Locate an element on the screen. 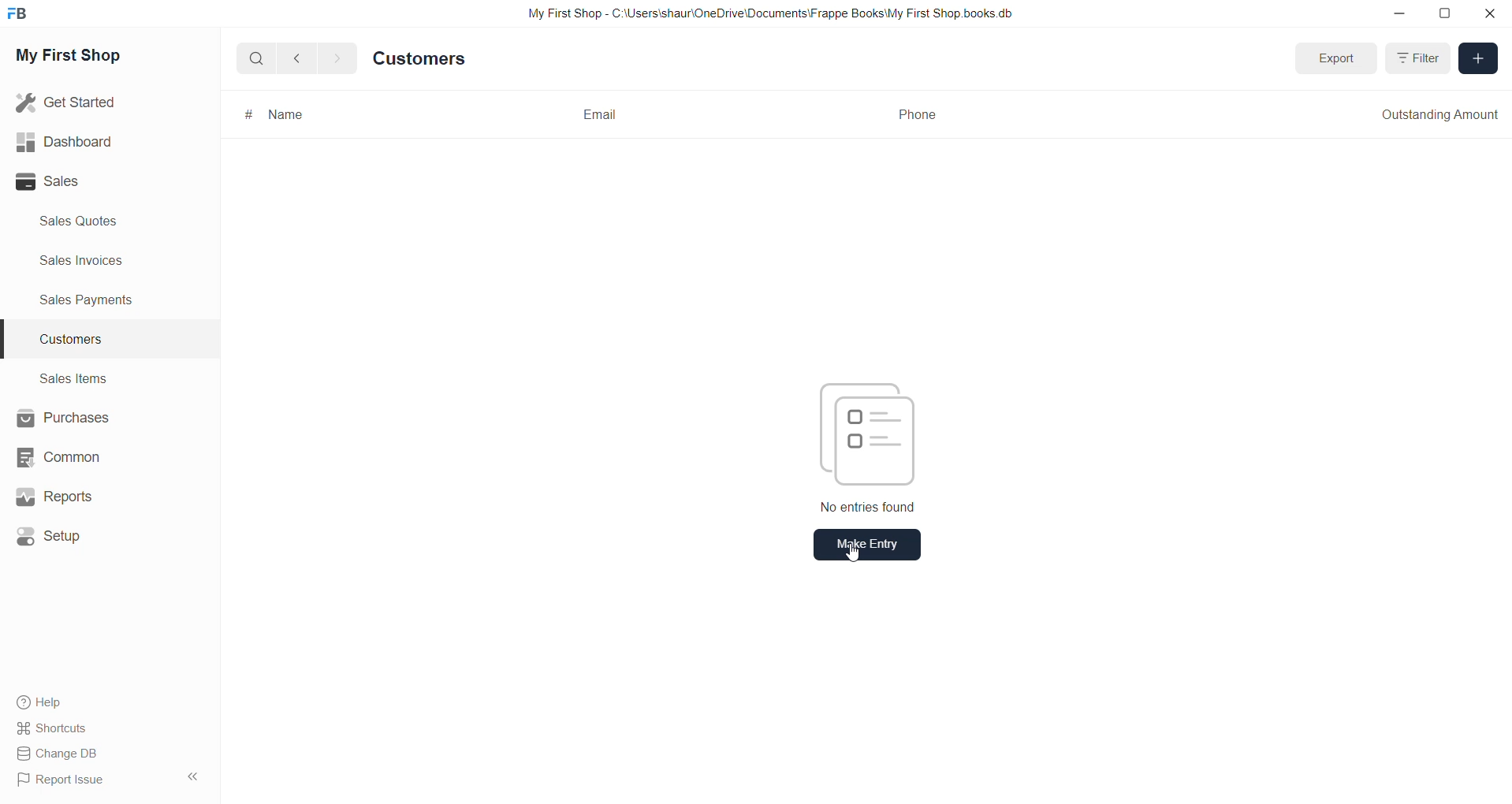 The width and height of the screenshot is (1512, 804). Reports is located at coordinates (54, 497).